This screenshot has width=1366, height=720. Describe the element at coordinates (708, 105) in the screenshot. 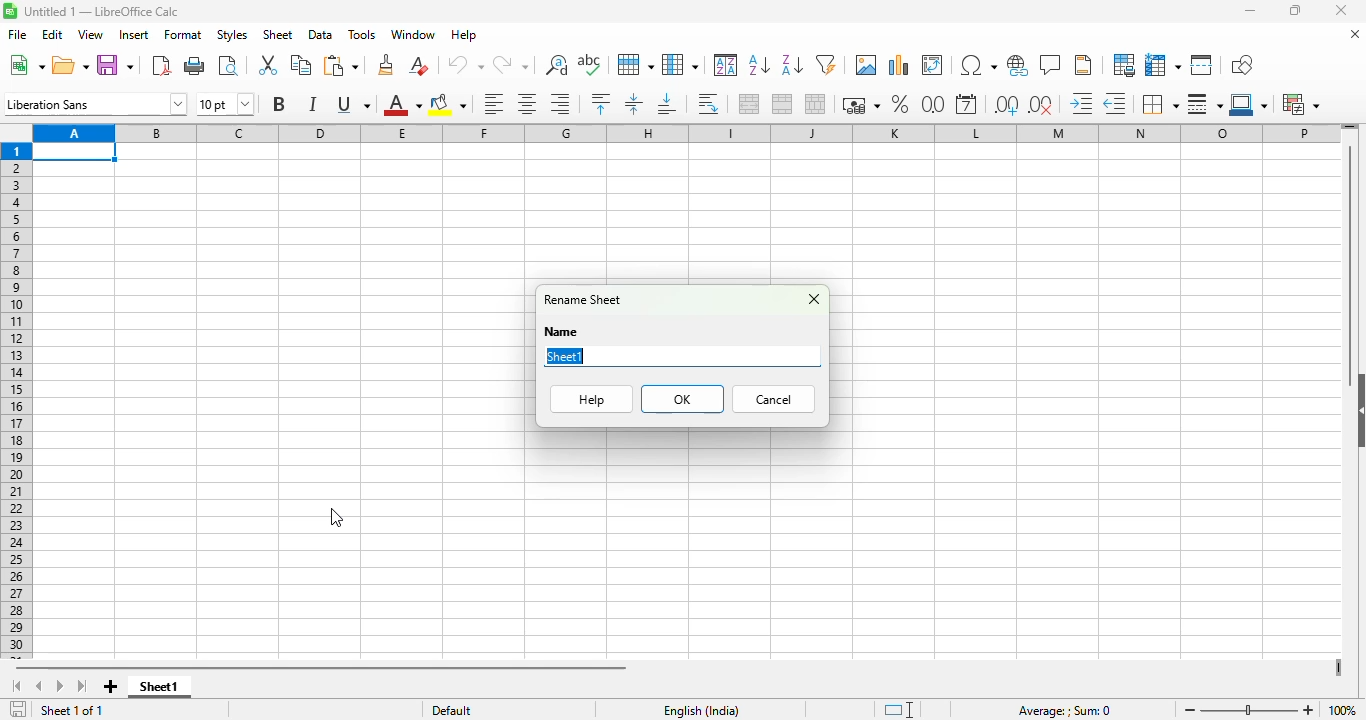

I see `wrap text` at that location.